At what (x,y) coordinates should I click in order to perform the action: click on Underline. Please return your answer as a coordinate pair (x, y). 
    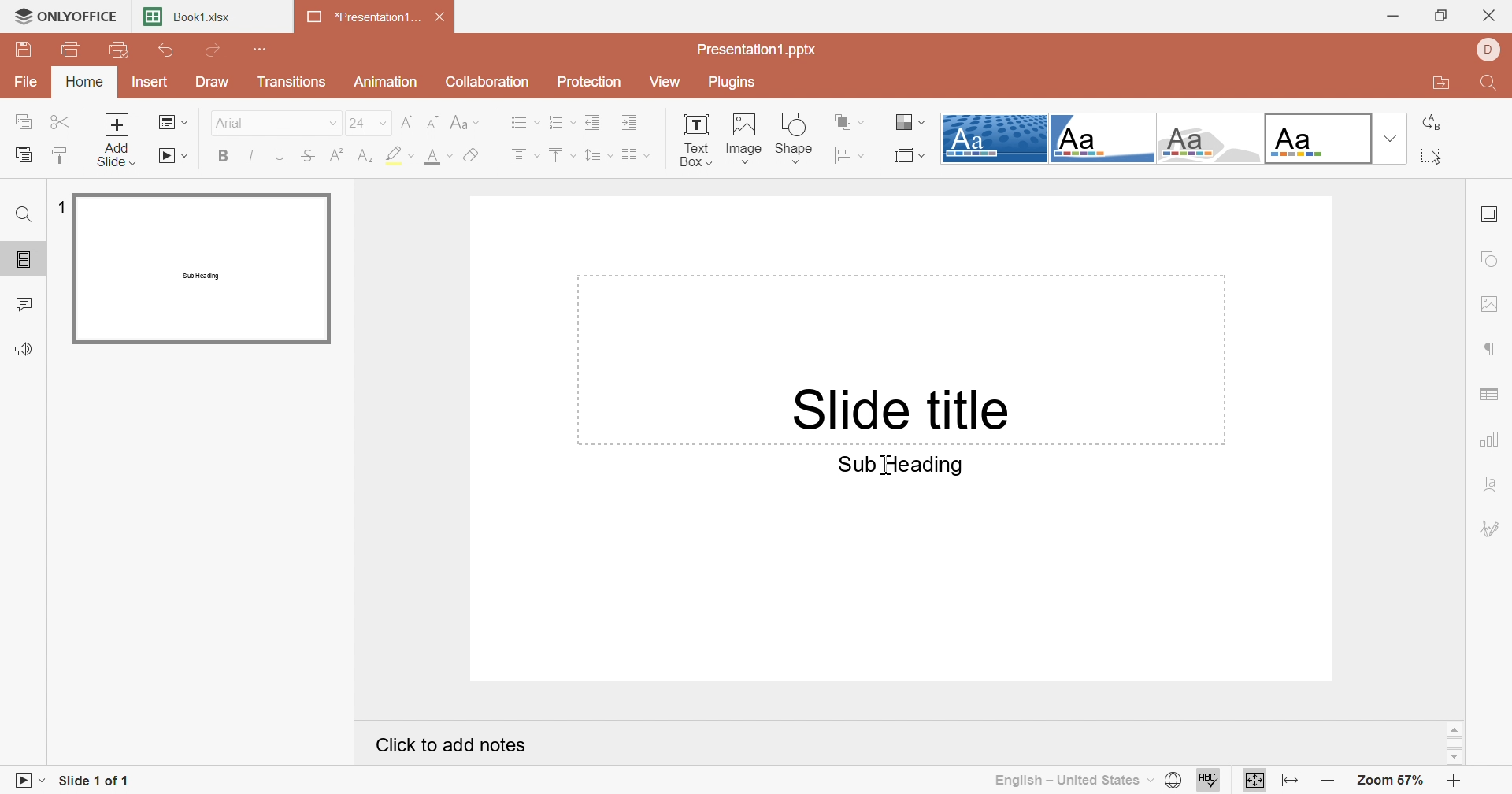
    Looking at the image, I should click on (283, 155).